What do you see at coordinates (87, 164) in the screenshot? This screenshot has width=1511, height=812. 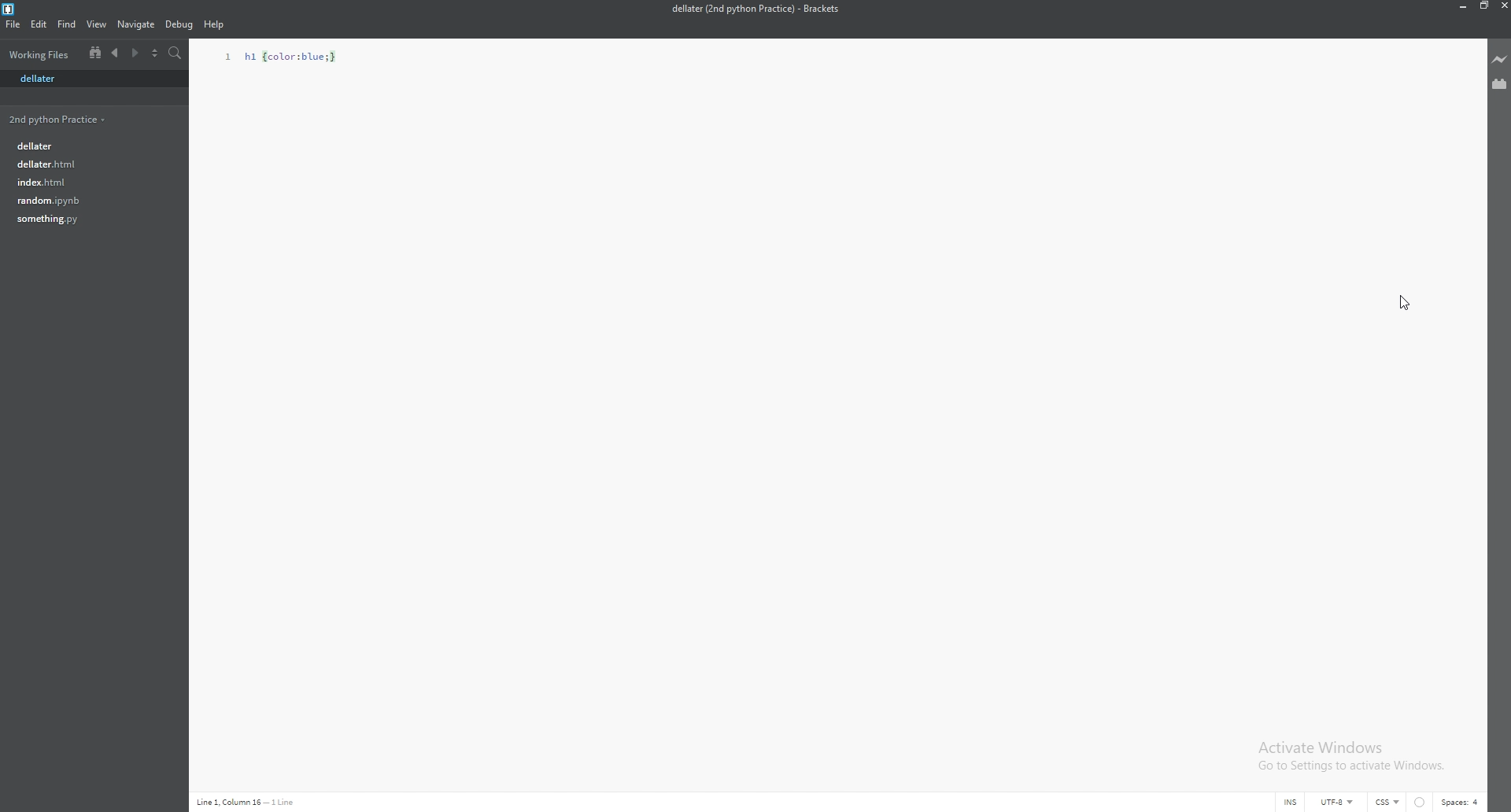 I see `file` at bounding box center [87, 164].